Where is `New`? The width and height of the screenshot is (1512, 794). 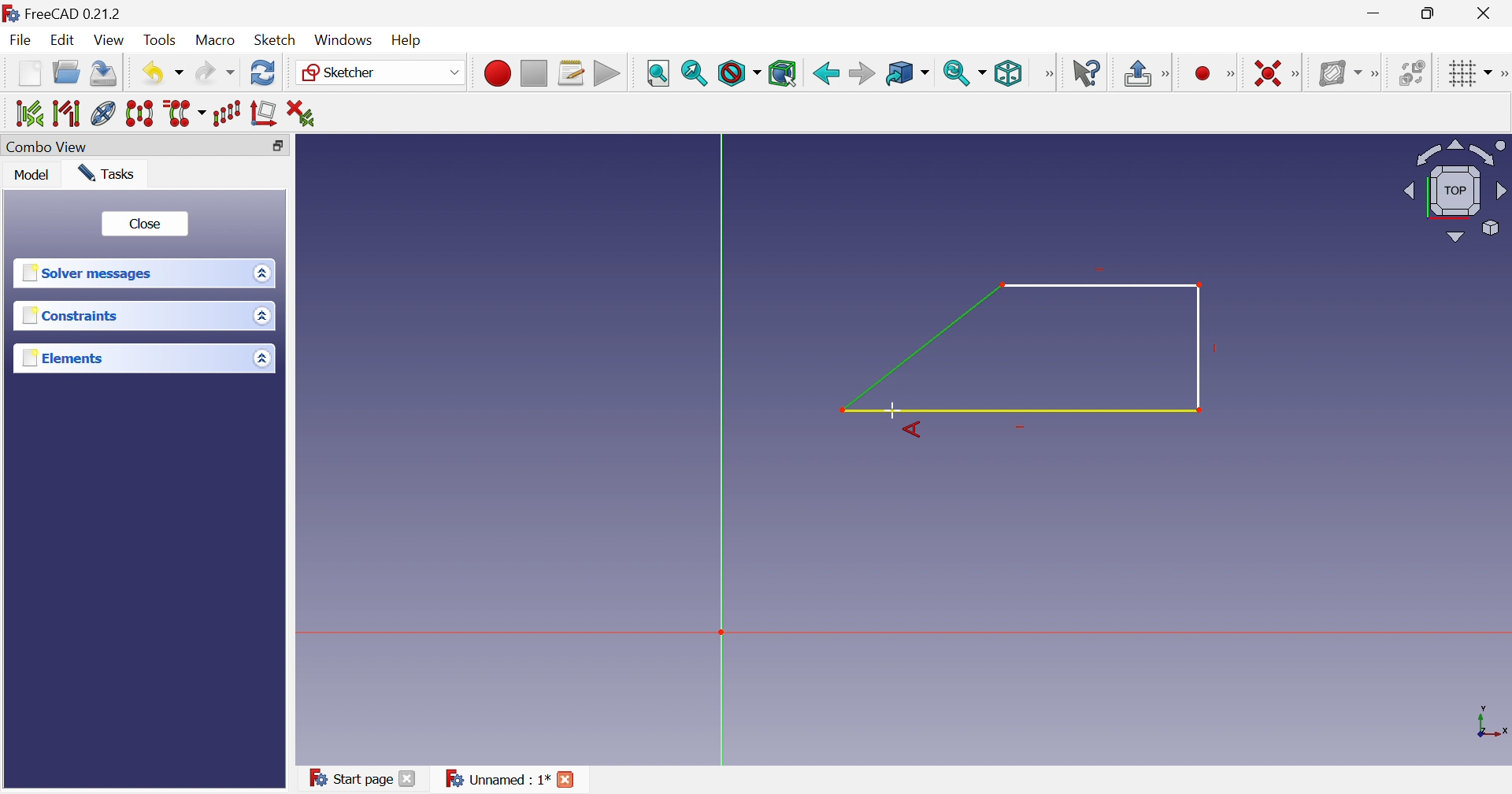
New is located at coordinates (29, 77).